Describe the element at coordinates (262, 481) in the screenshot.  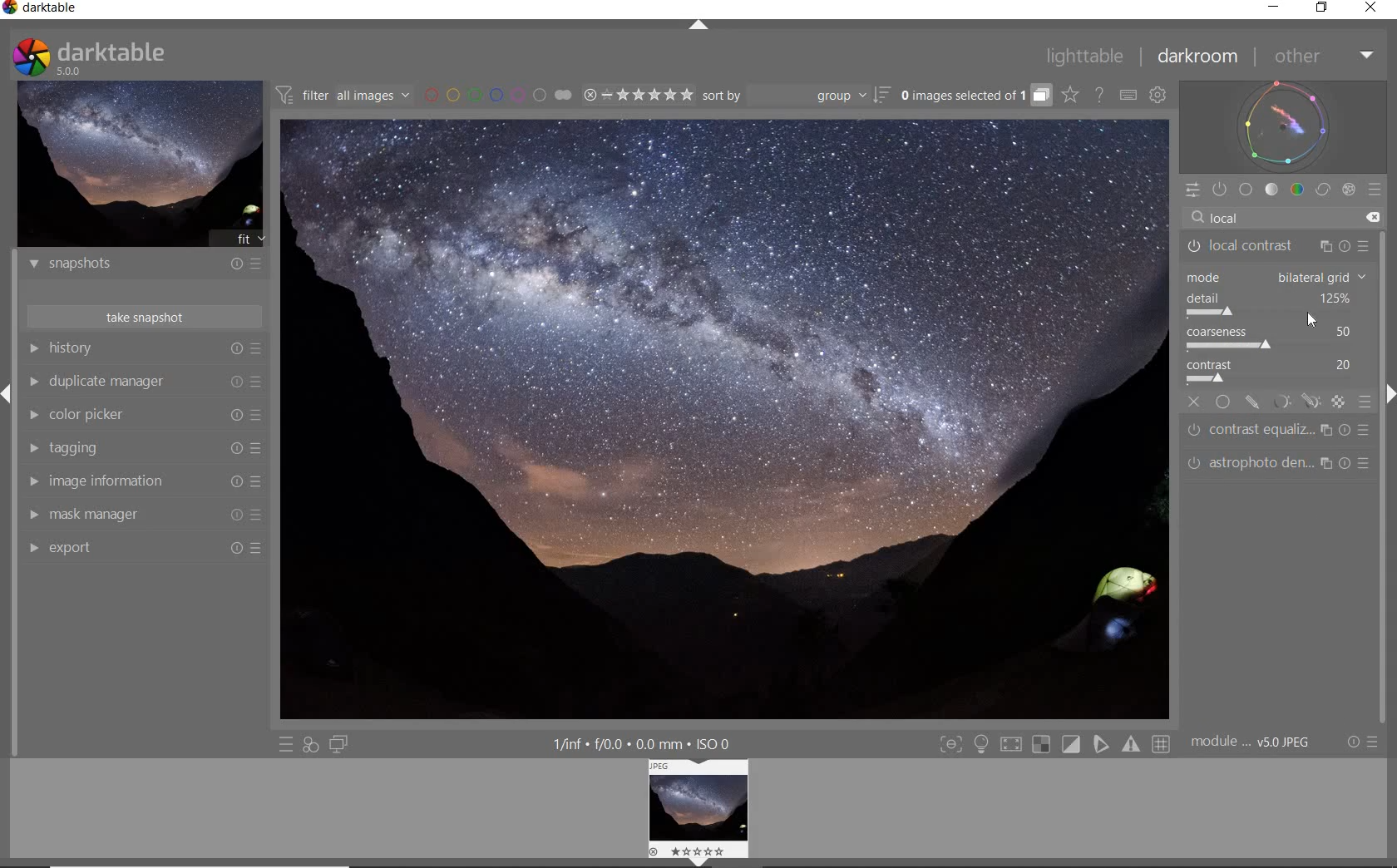
I see `Presets and preferences` at that location.